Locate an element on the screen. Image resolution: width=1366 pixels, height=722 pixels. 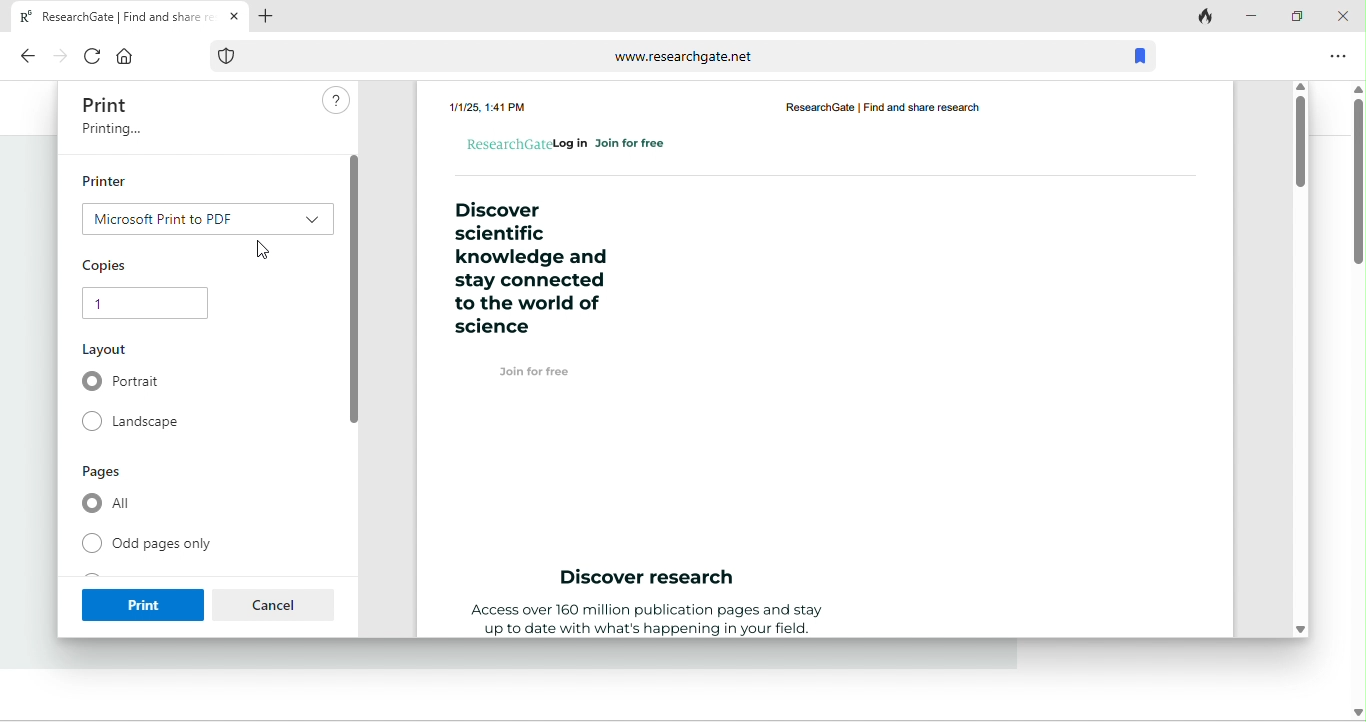
1/1/25 1:41 PM is located at coordinates (489, 105).